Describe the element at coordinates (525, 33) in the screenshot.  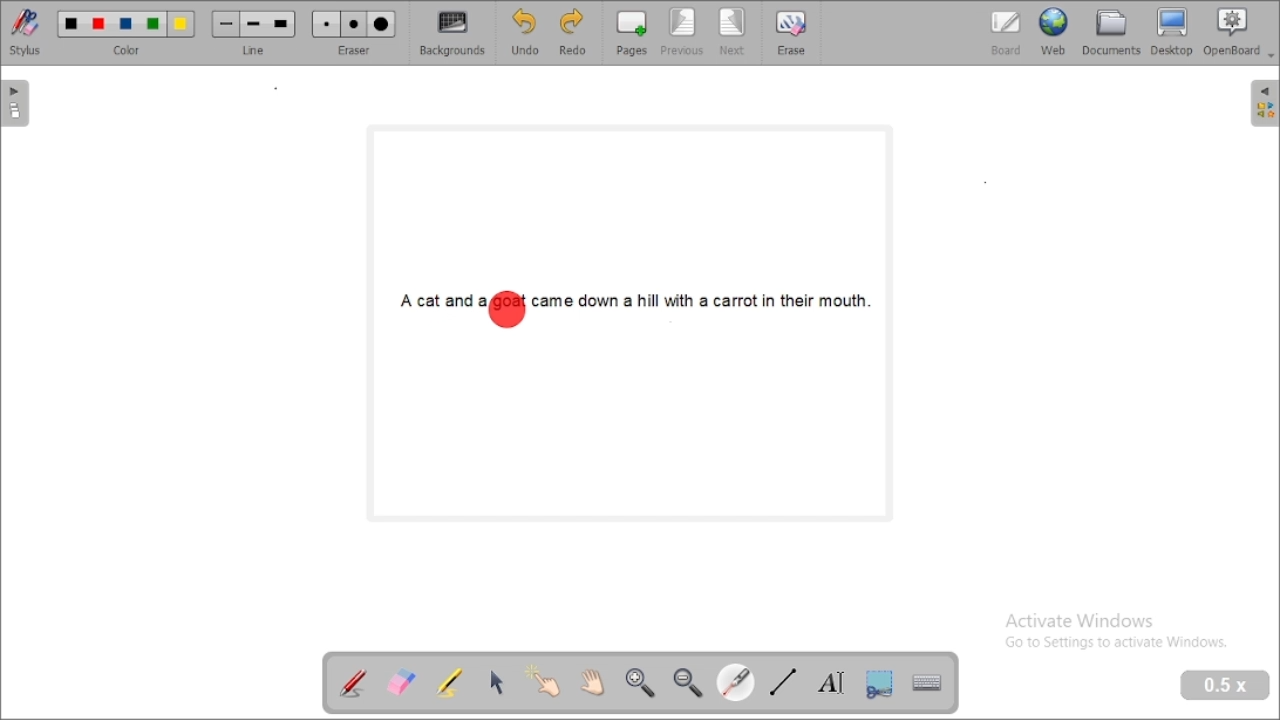
I see `undo` at that location.